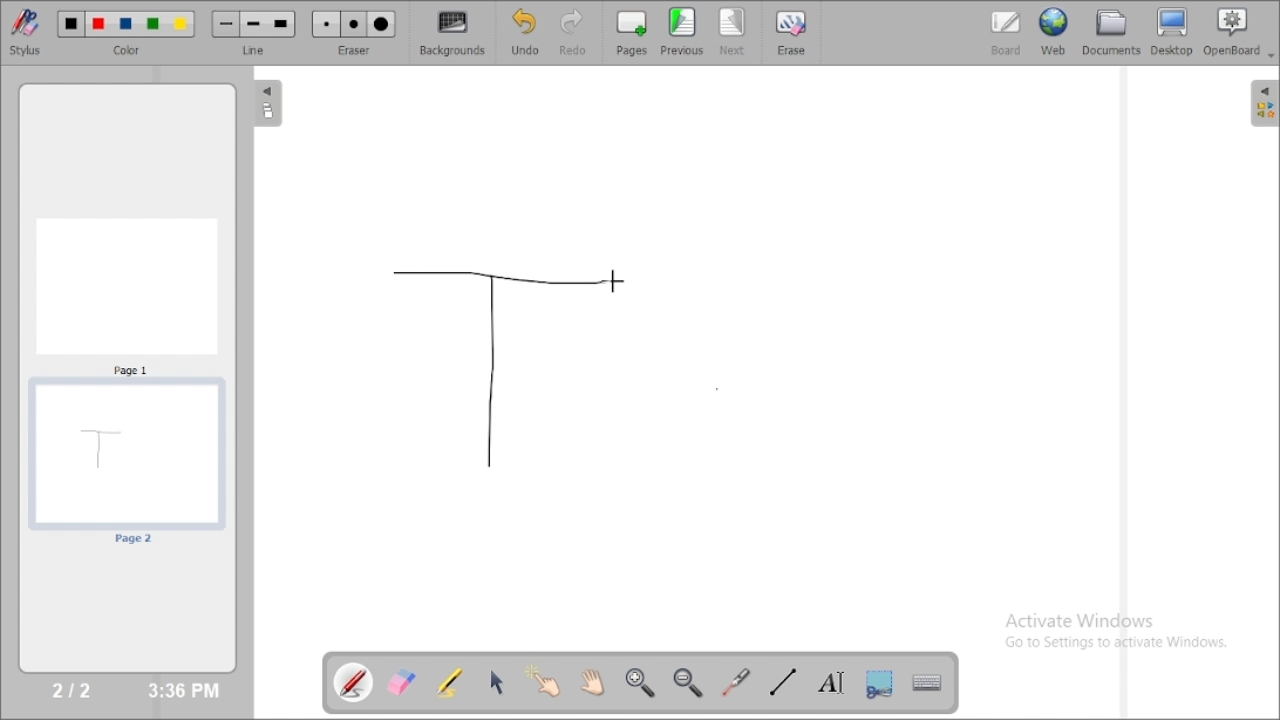 Image resolution: width=1280 pixels, height=720 pixels. I want to click on Color 3, so click(126, 25).